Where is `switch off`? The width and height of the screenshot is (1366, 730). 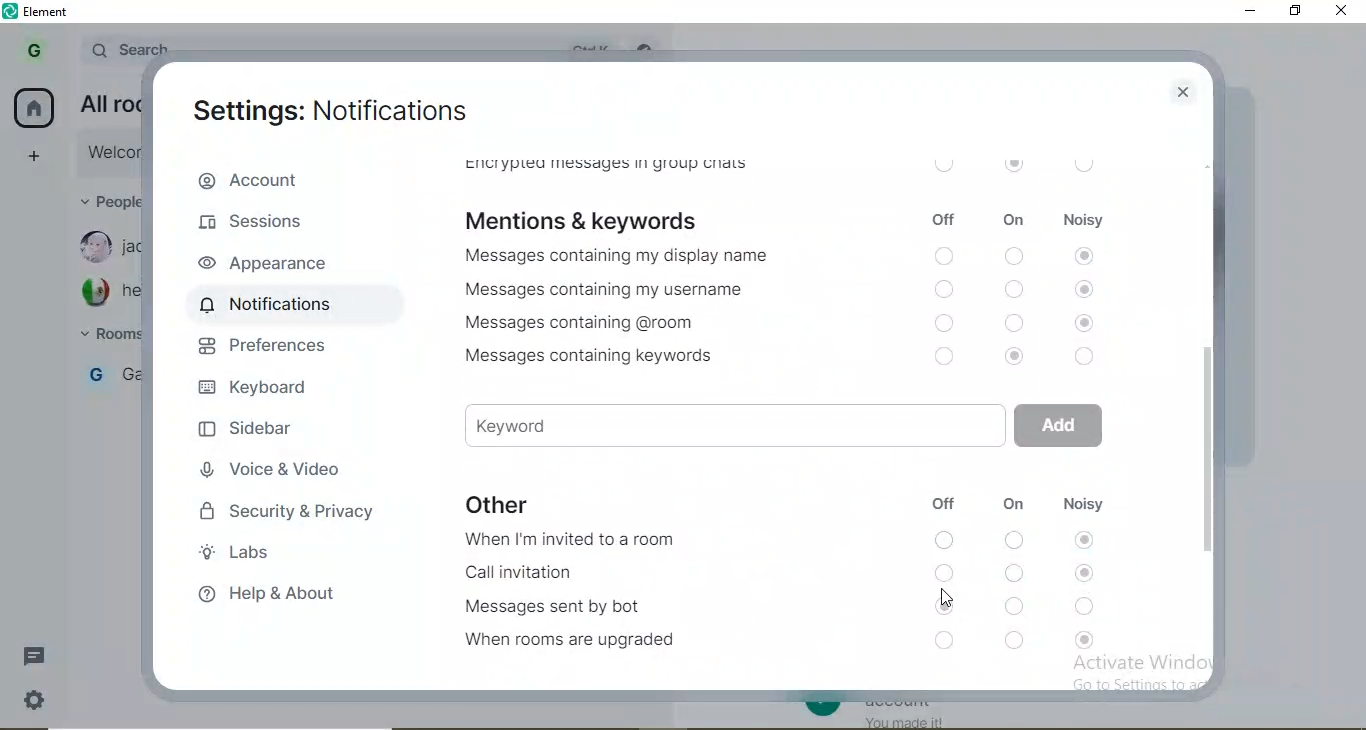
switch off is located at coordinates (947, 643).